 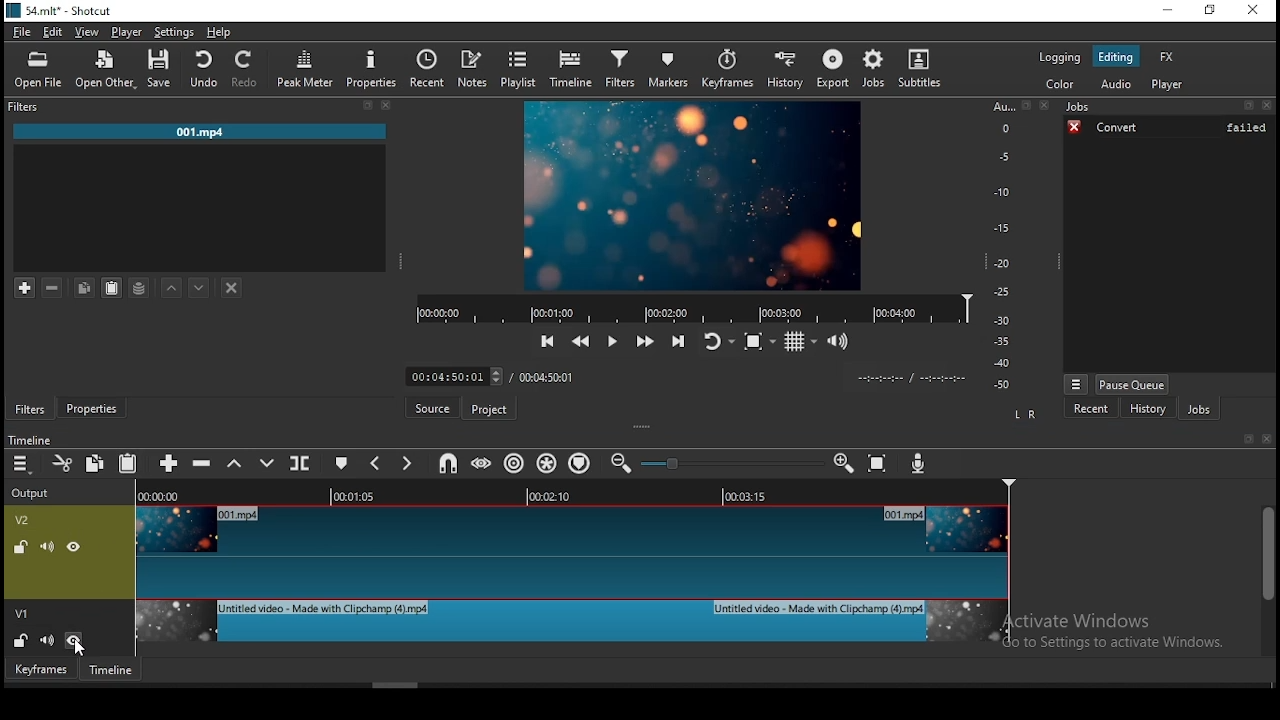 I want to click on (un)mute, so click(x=46, y=546).